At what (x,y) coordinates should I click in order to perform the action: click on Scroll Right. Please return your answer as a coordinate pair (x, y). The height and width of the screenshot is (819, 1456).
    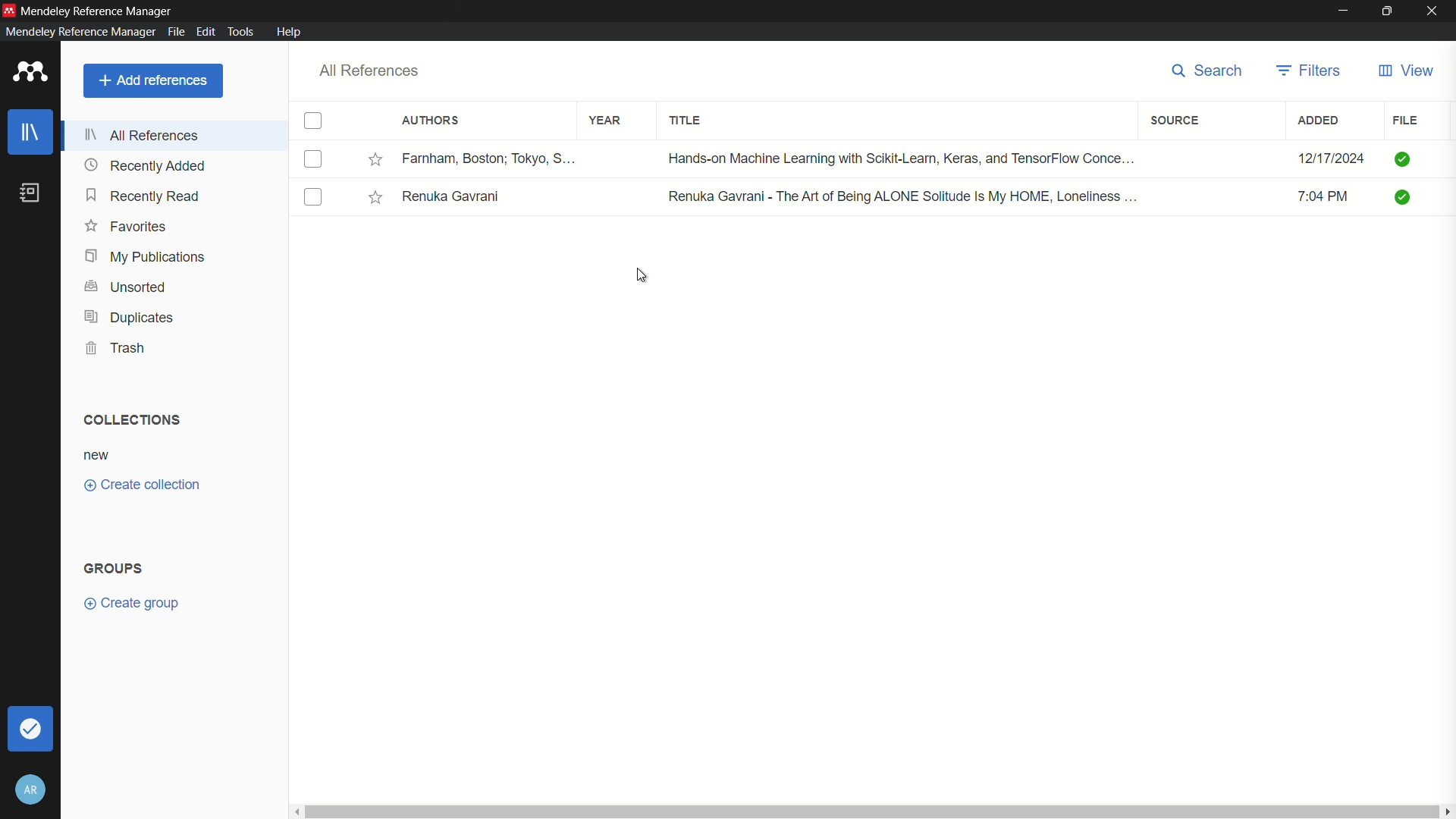
    Looking at the image, I should click on (1447, 811).